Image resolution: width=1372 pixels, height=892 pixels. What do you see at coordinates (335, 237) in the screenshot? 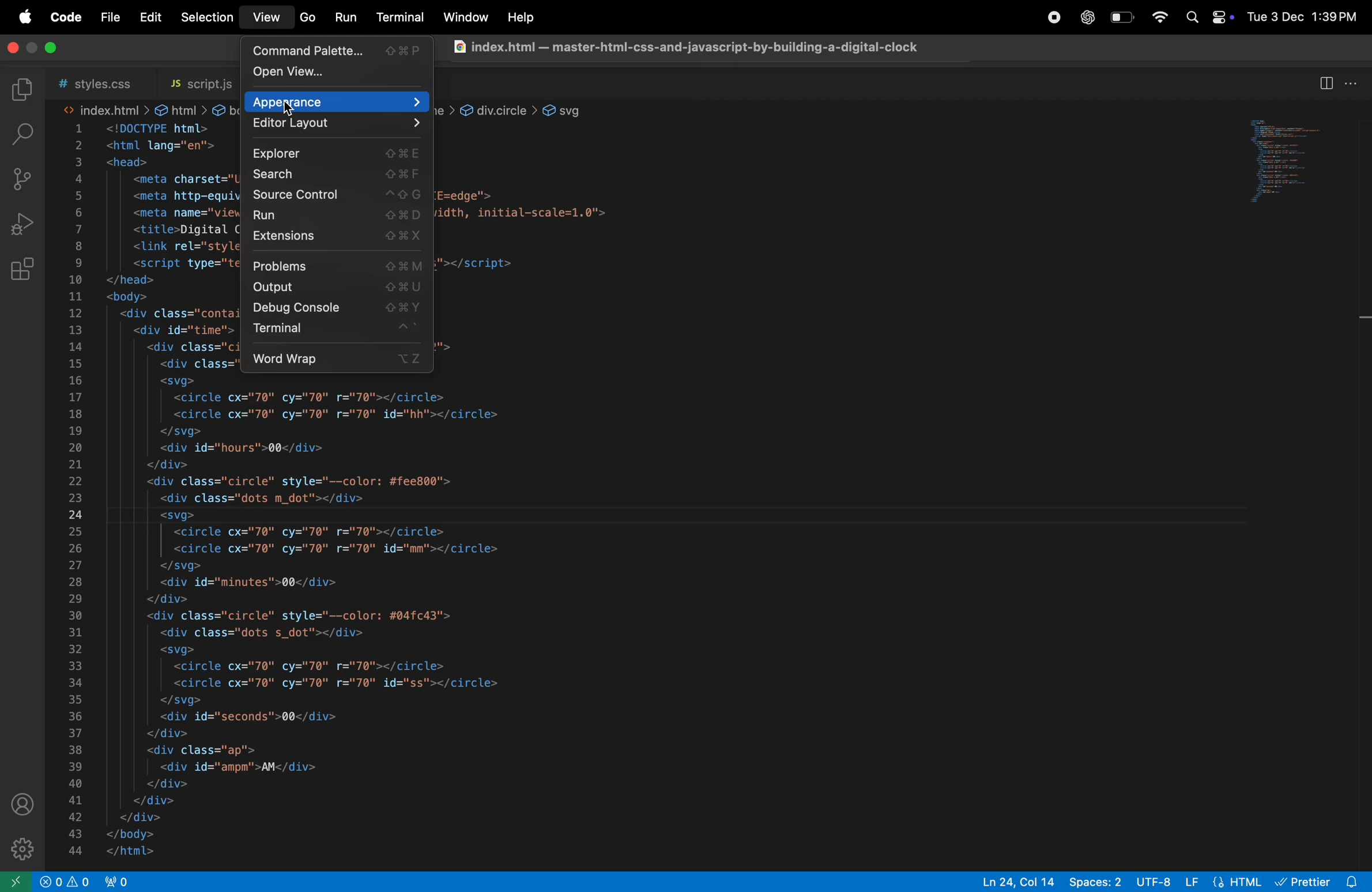
I see `extensions` at bounding box center [335, 237].